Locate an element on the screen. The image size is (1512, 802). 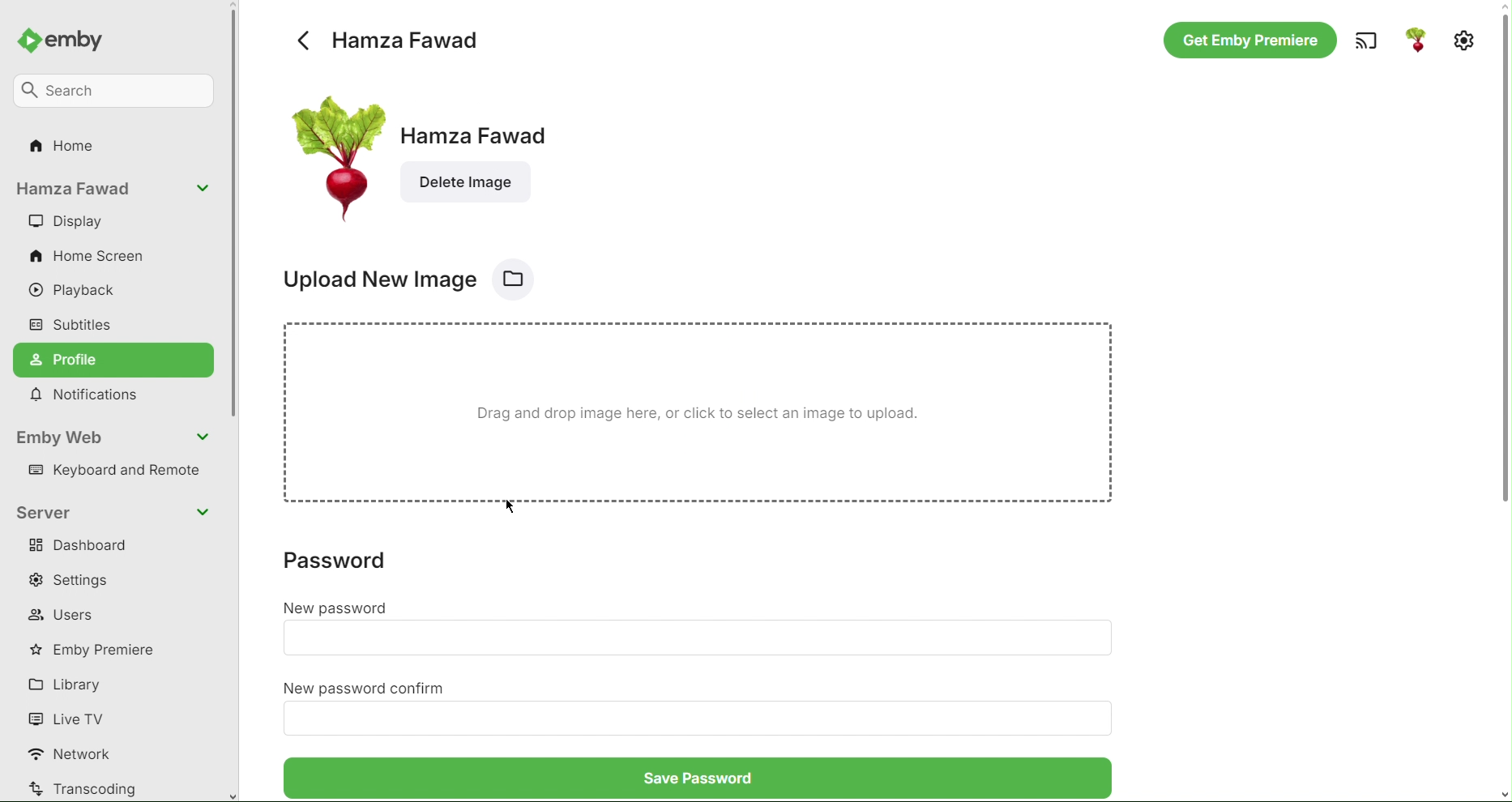
Hamza Fawad is located at coordinates (387, 37).